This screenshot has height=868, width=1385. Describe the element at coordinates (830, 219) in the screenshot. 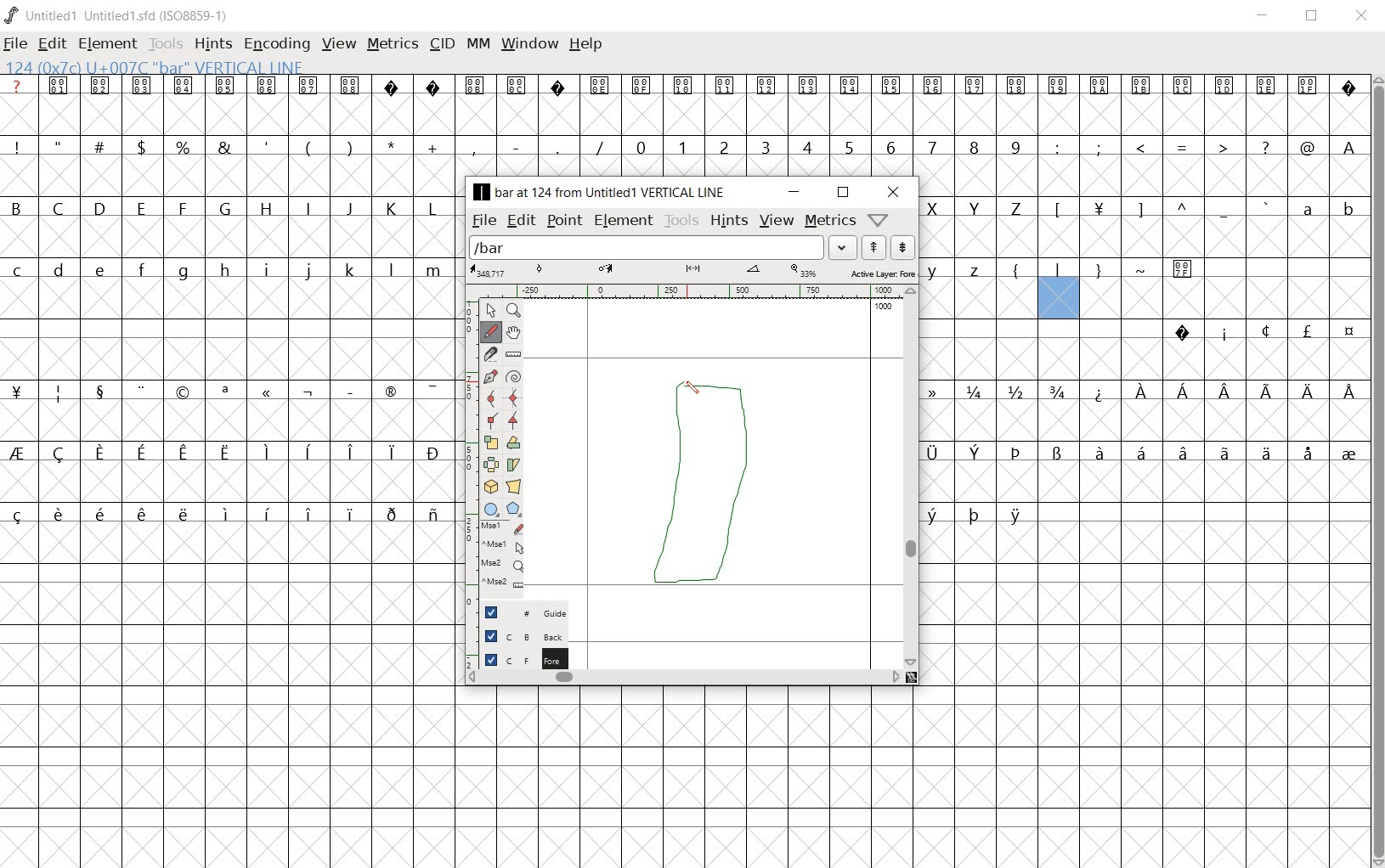

I see `metrics` at that location.